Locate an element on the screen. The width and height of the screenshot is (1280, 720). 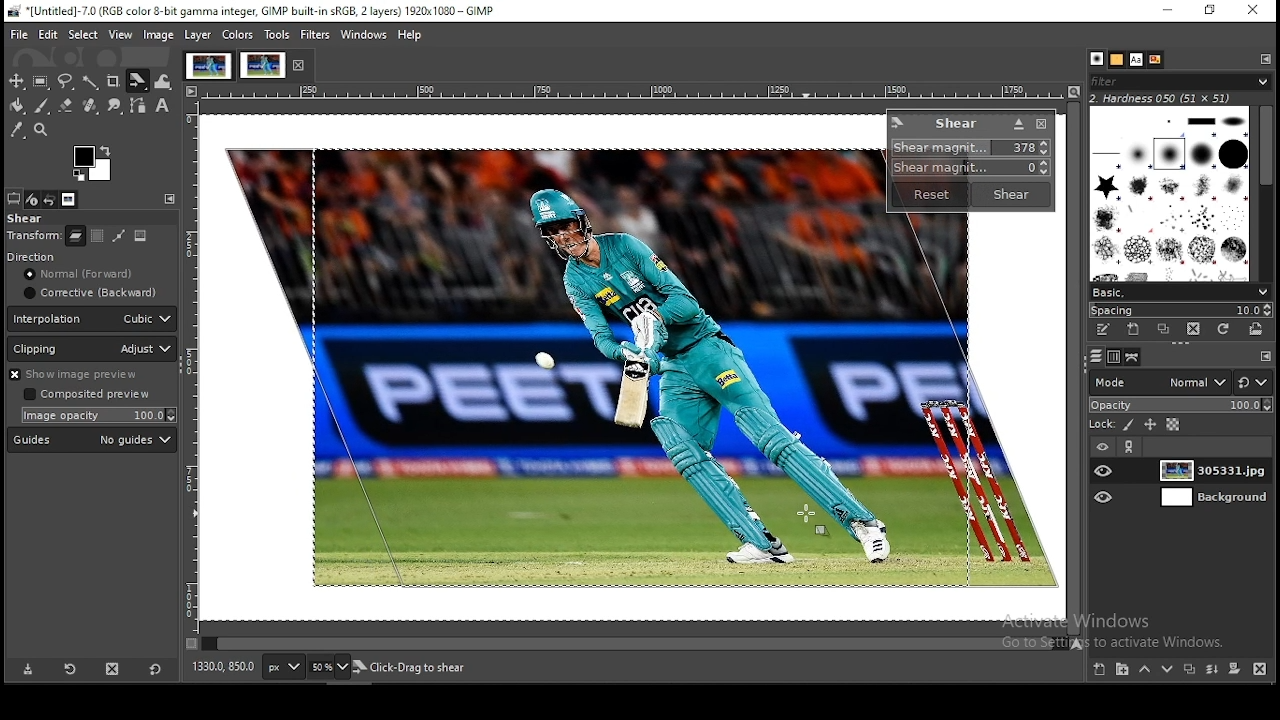
lock is located at coordinates (1096, 426).